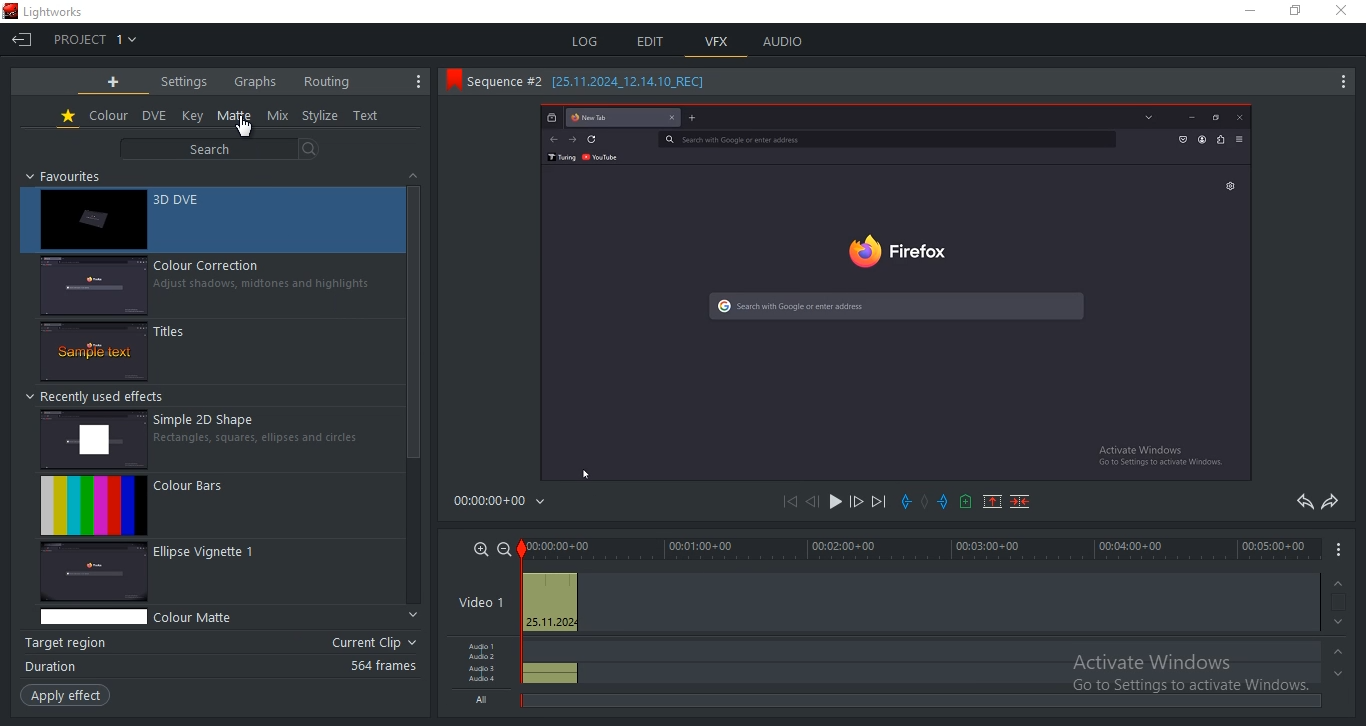  Describe the element at coordinates (811, 503) in the screenshot. I see `rewind` at that location.